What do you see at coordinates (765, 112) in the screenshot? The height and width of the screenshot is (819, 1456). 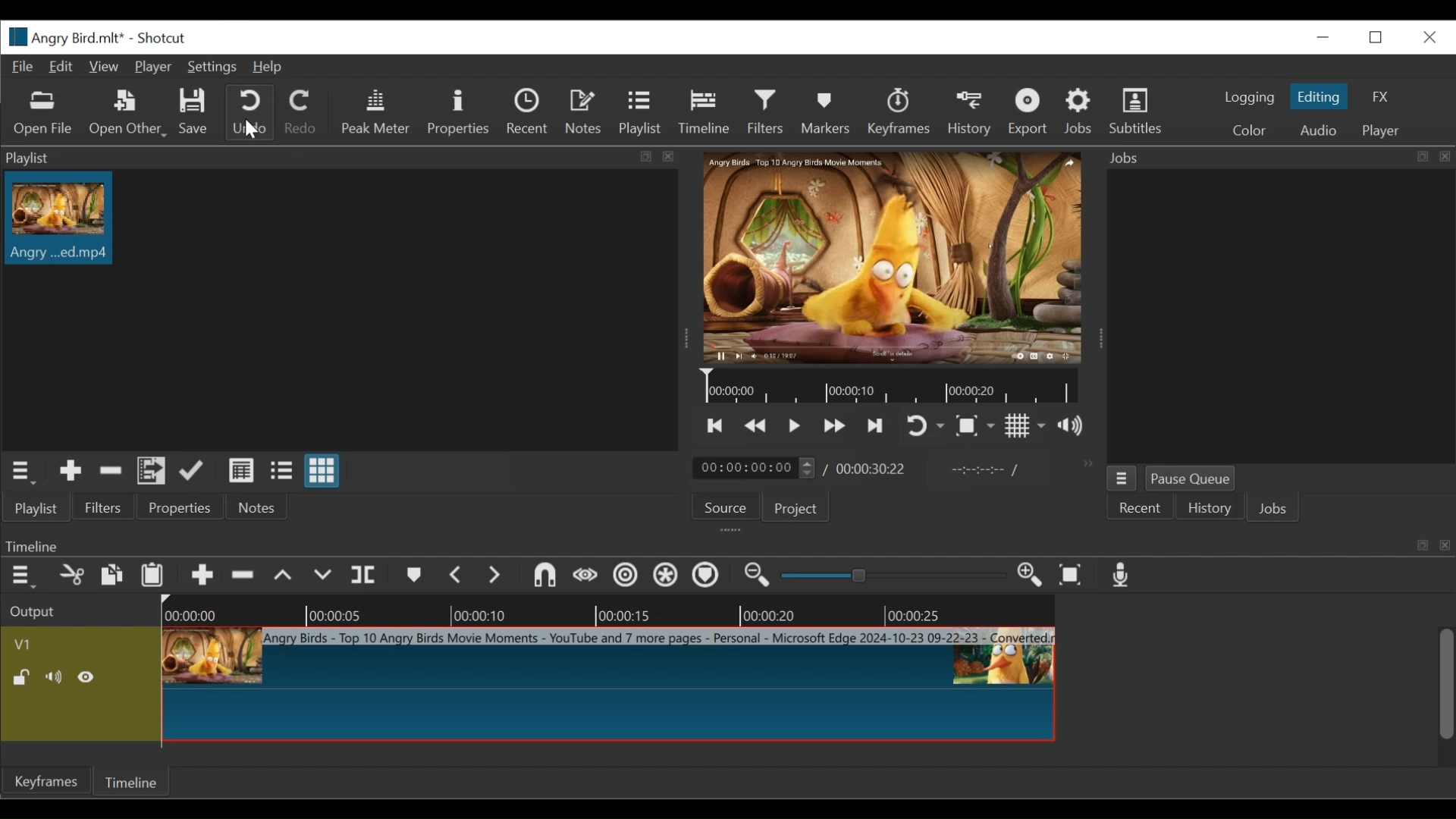 I see `Filters` at bounding box center [765, 112].